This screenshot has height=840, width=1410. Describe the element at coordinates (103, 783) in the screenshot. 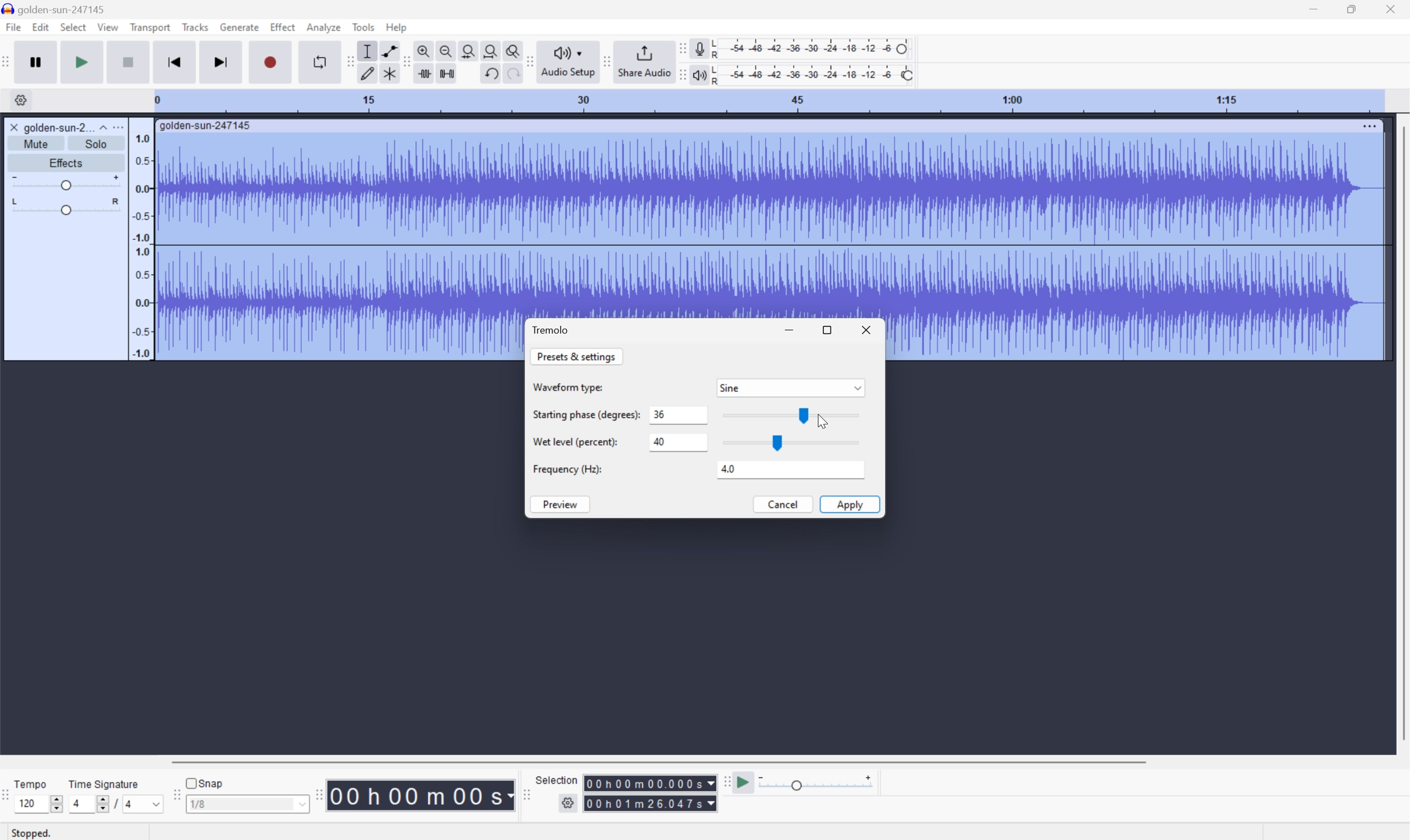

I see `Time signature` at that location.